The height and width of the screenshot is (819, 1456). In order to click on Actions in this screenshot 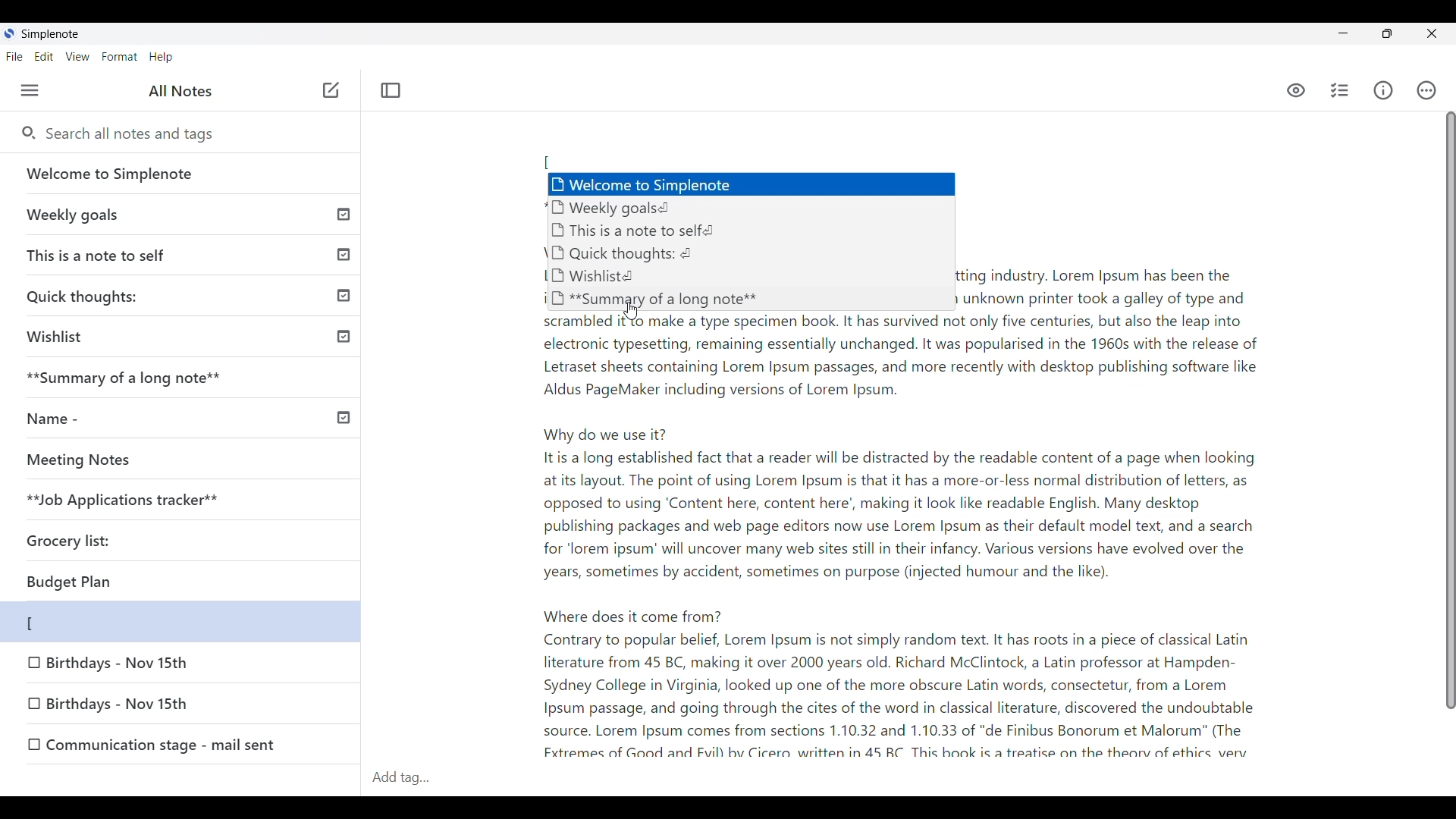, I will do `click(1427, 90)`.